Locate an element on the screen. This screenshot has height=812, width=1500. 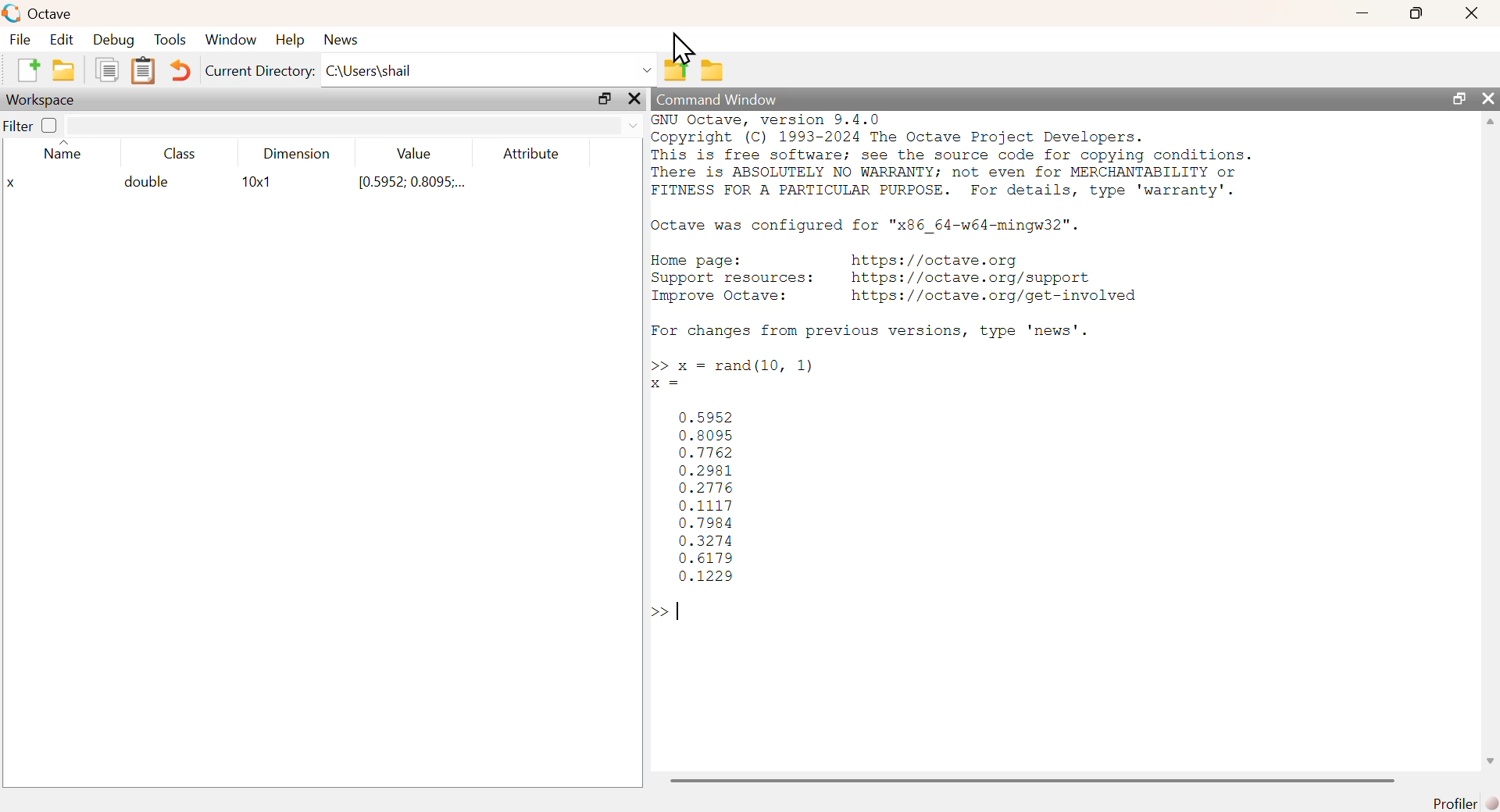
current directory is located at coordinates (261, 72).